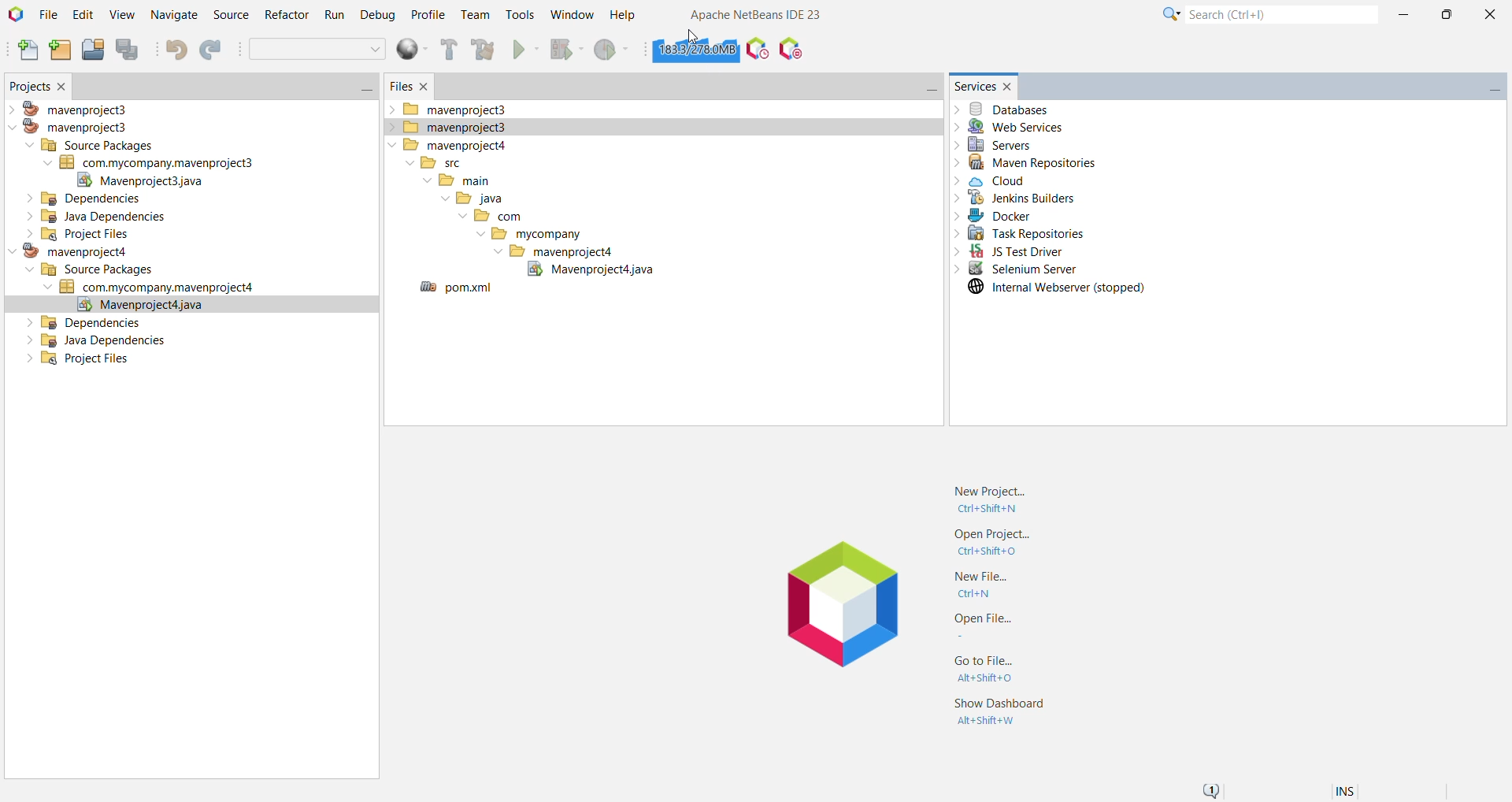 The image size is (1512, 802). What do you see at coordinates (377, 16) in the screenshot?
I see `Debug` at bounding box center [377, 16].